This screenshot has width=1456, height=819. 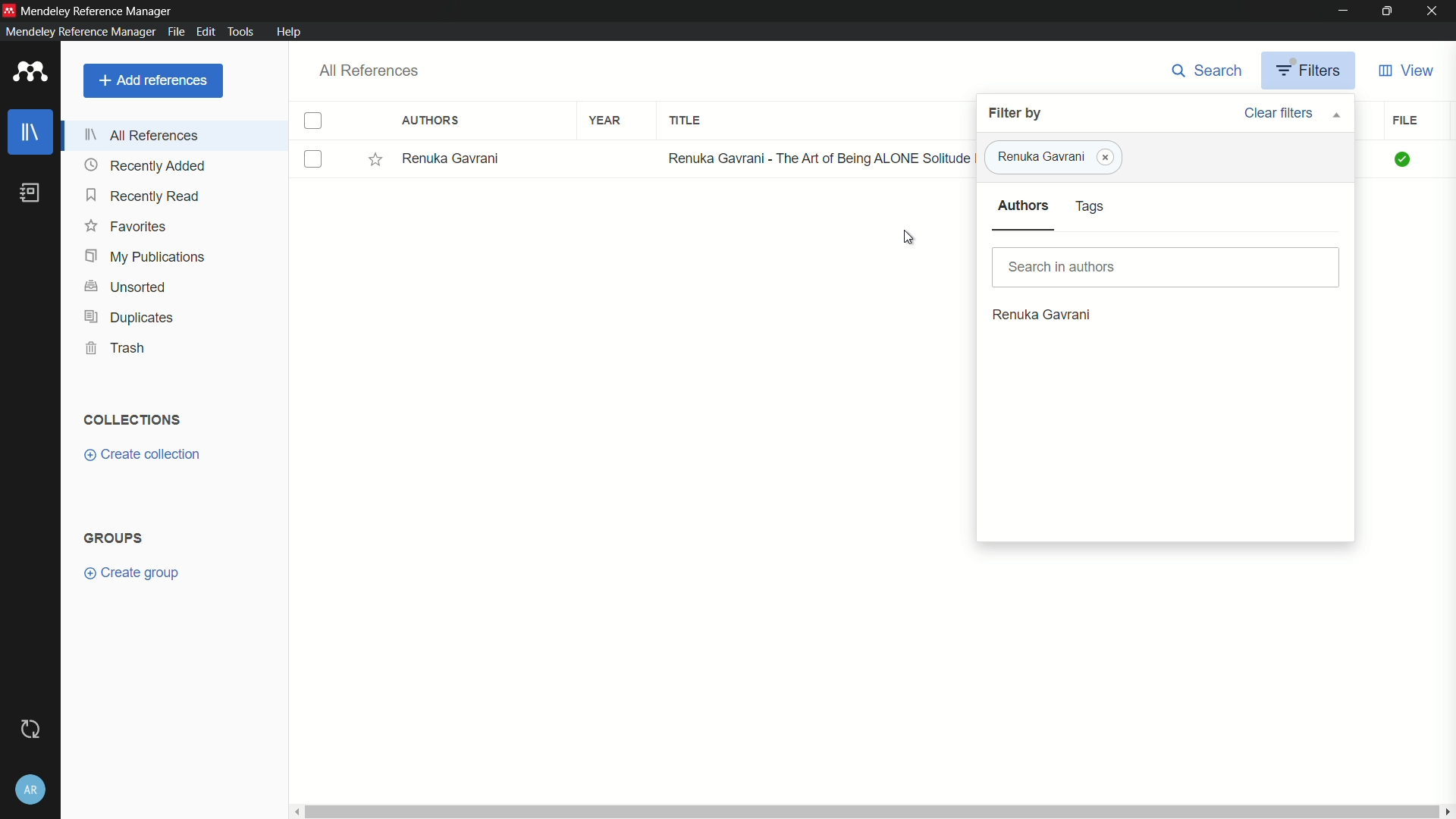 I want to click on app icon, so click(x=33, y=73).